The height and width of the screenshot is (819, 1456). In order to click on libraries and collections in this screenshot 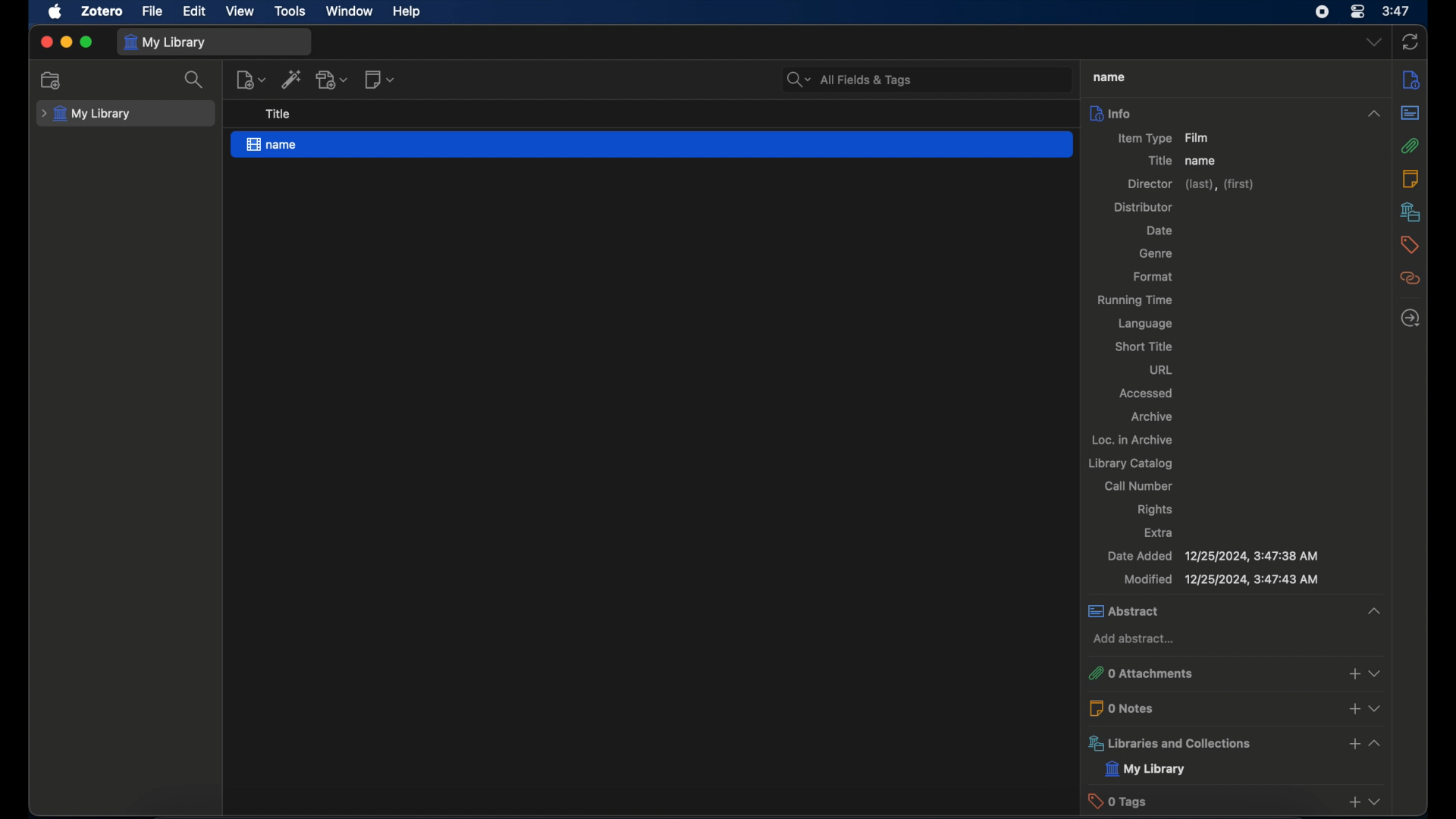, I will do `click(1207, 742)`.